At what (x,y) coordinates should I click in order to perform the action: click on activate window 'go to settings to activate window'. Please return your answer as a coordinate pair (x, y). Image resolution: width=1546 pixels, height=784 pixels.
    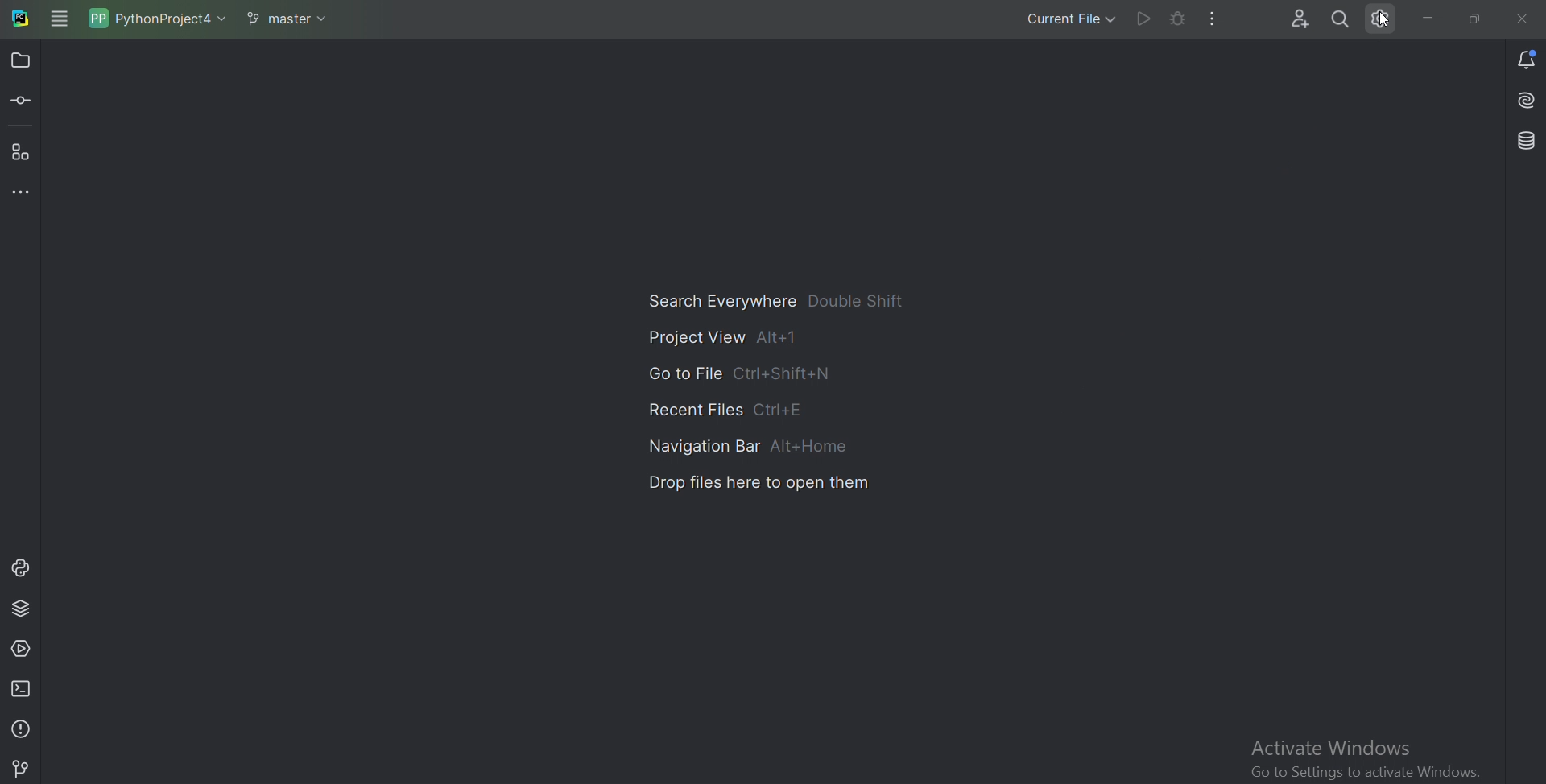
    Looking at the image, I should click on (1365, 761).